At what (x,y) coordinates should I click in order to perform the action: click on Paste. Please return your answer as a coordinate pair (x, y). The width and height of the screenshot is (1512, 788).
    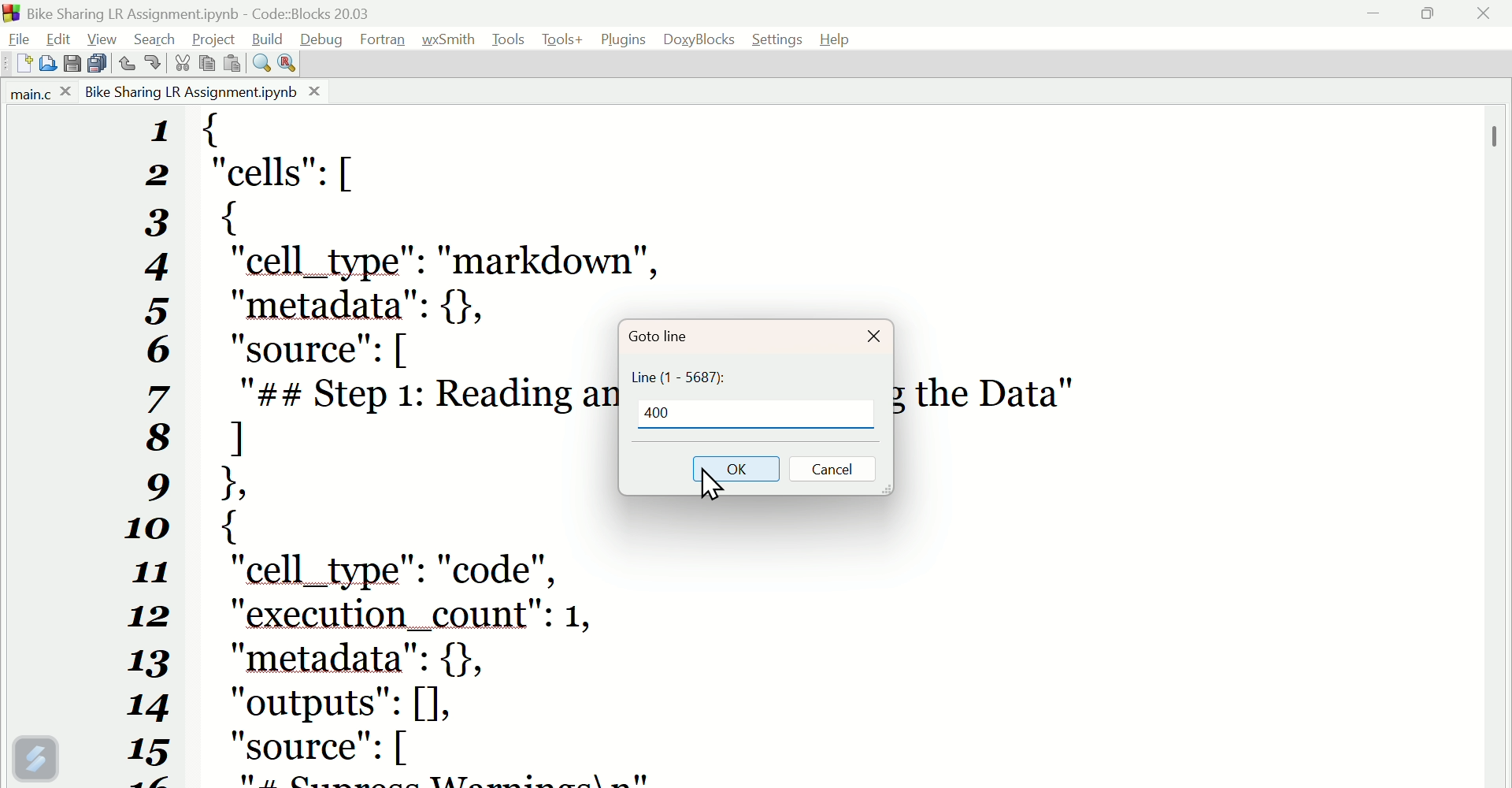
    Looking at the image, I should click on (232, 62).